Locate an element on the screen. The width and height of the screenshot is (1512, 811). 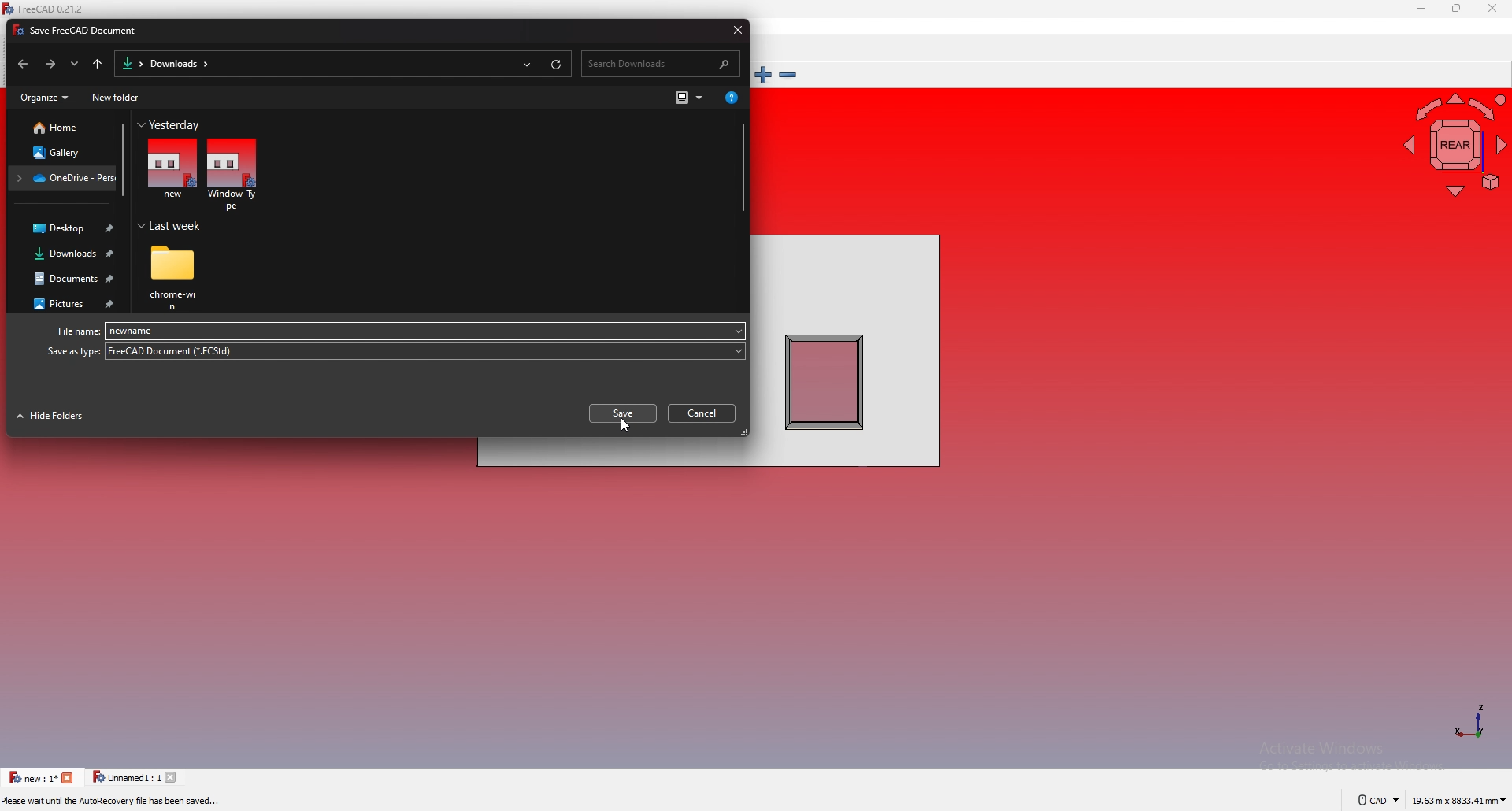
file is located at coordinates (169, 174).